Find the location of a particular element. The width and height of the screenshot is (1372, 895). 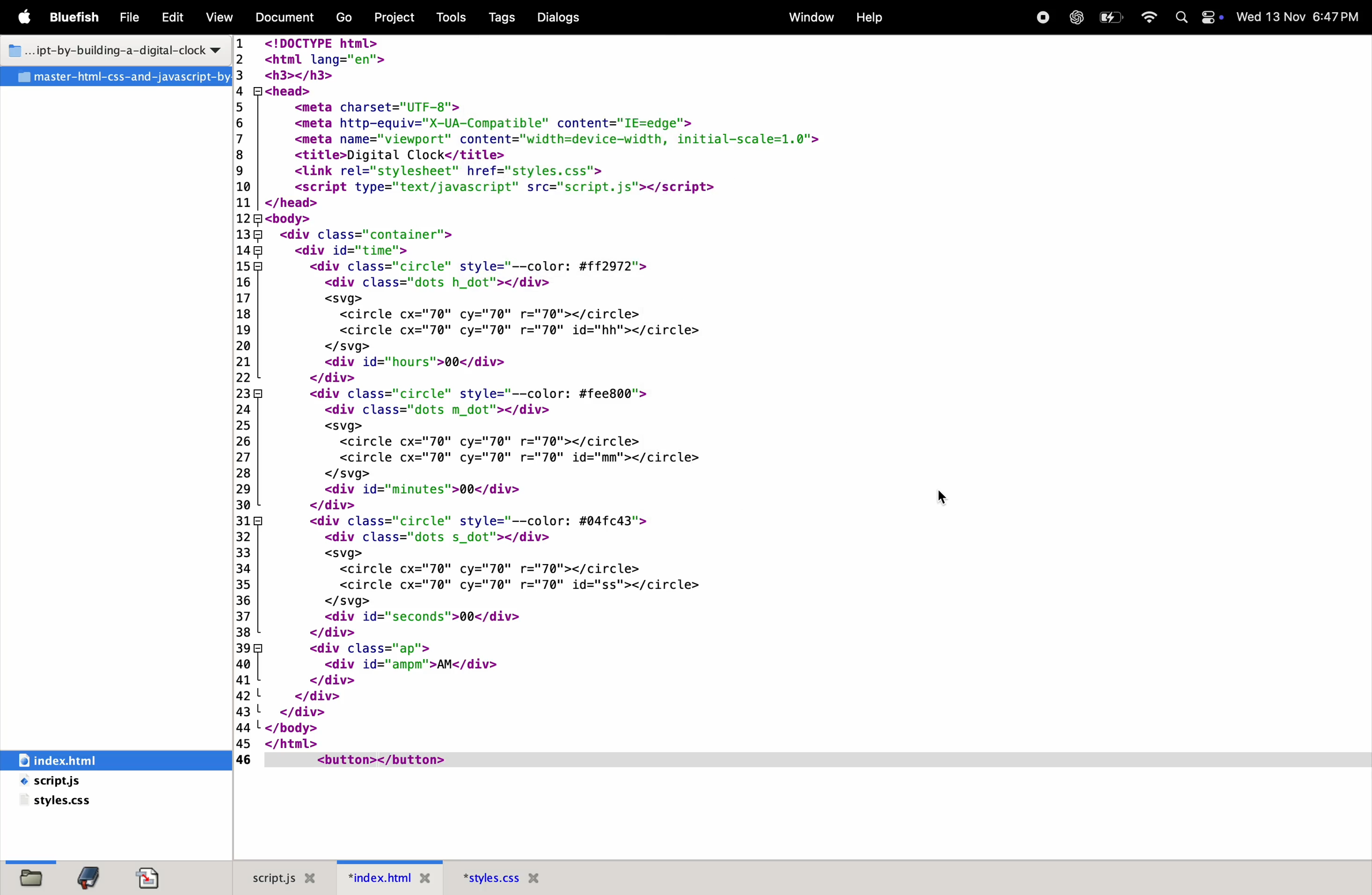

Edit is located at coordinates (174, 16).